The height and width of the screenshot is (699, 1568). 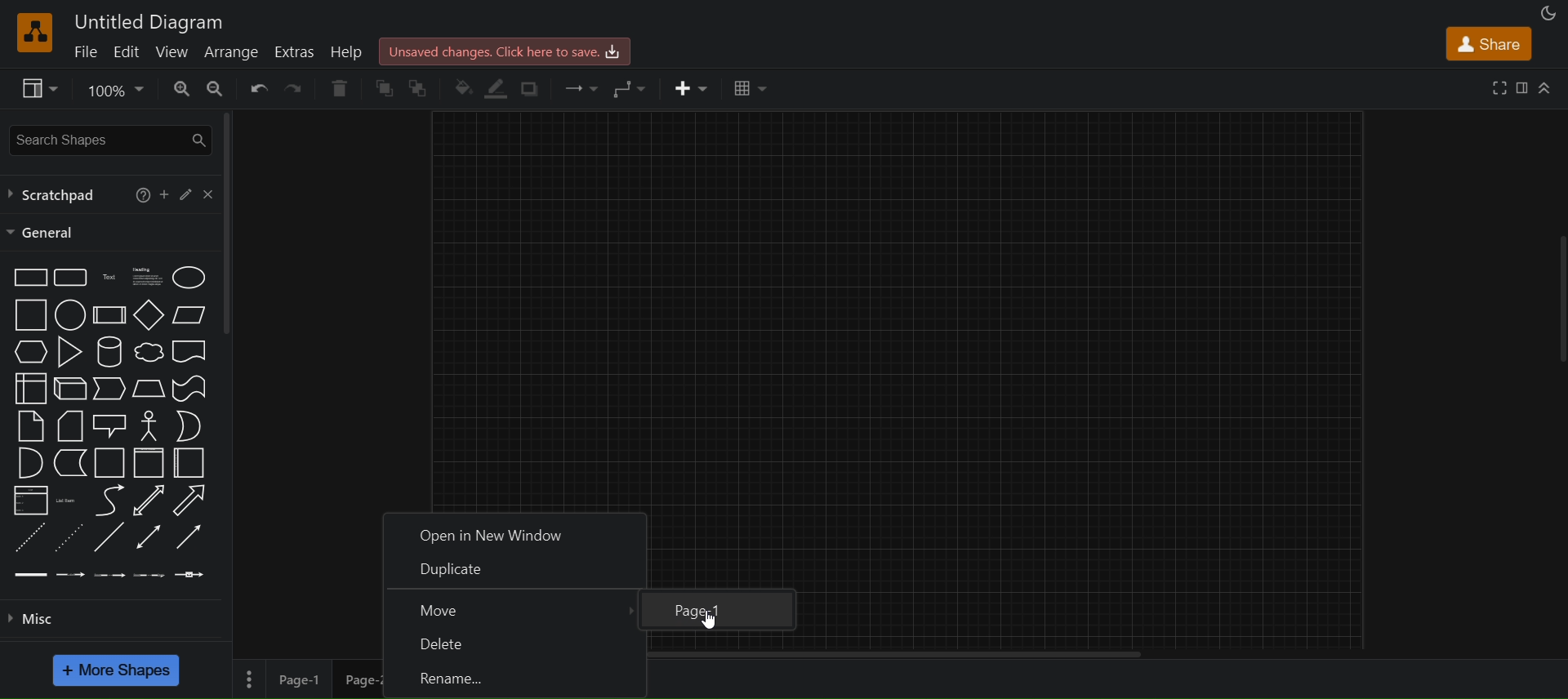 I want to click on dashed line, so click(x=27, y=536).